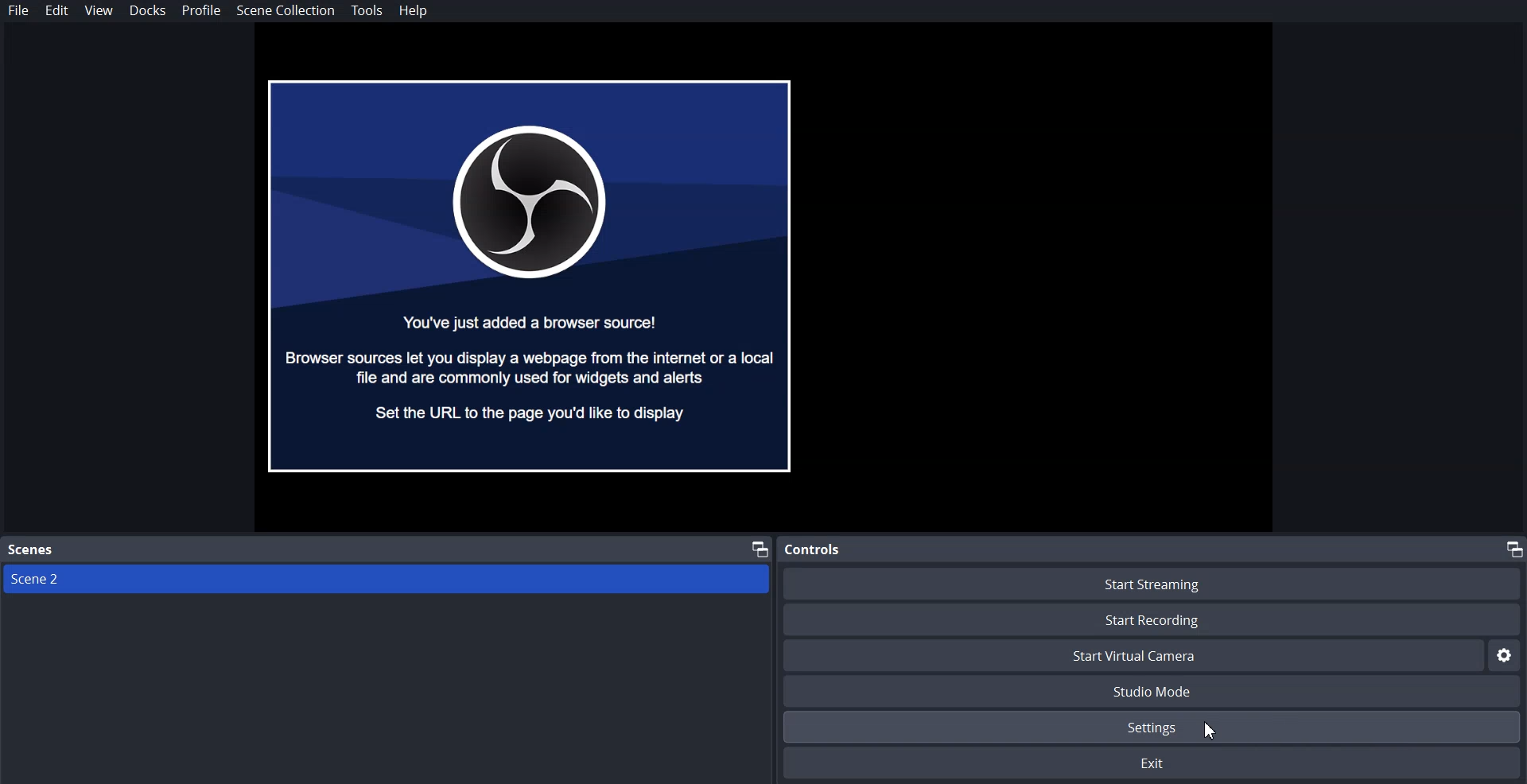 The height and width of the screenshot is (784, 1527). Describe the element at coordinates (1152, 582) in the screenshot. I see `Start Streaming` at that location.